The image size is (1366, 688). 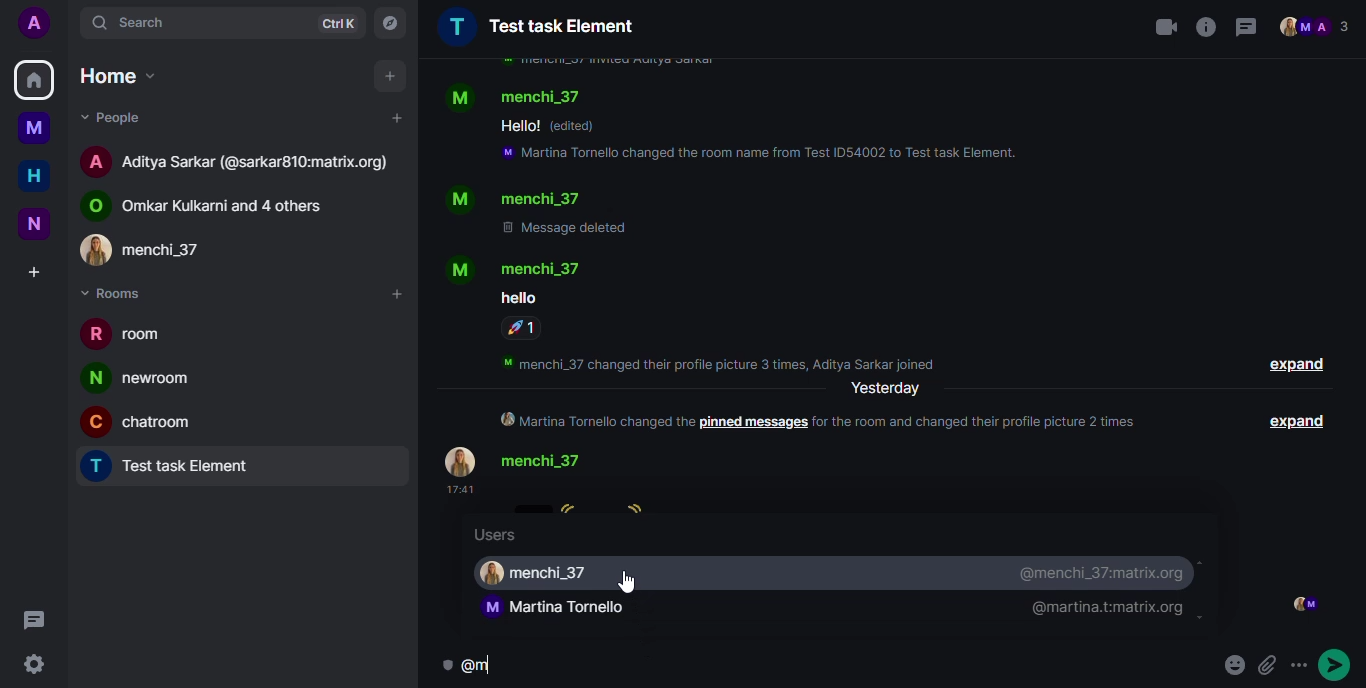 I want to click on newroom, so click(x=143, y=378).